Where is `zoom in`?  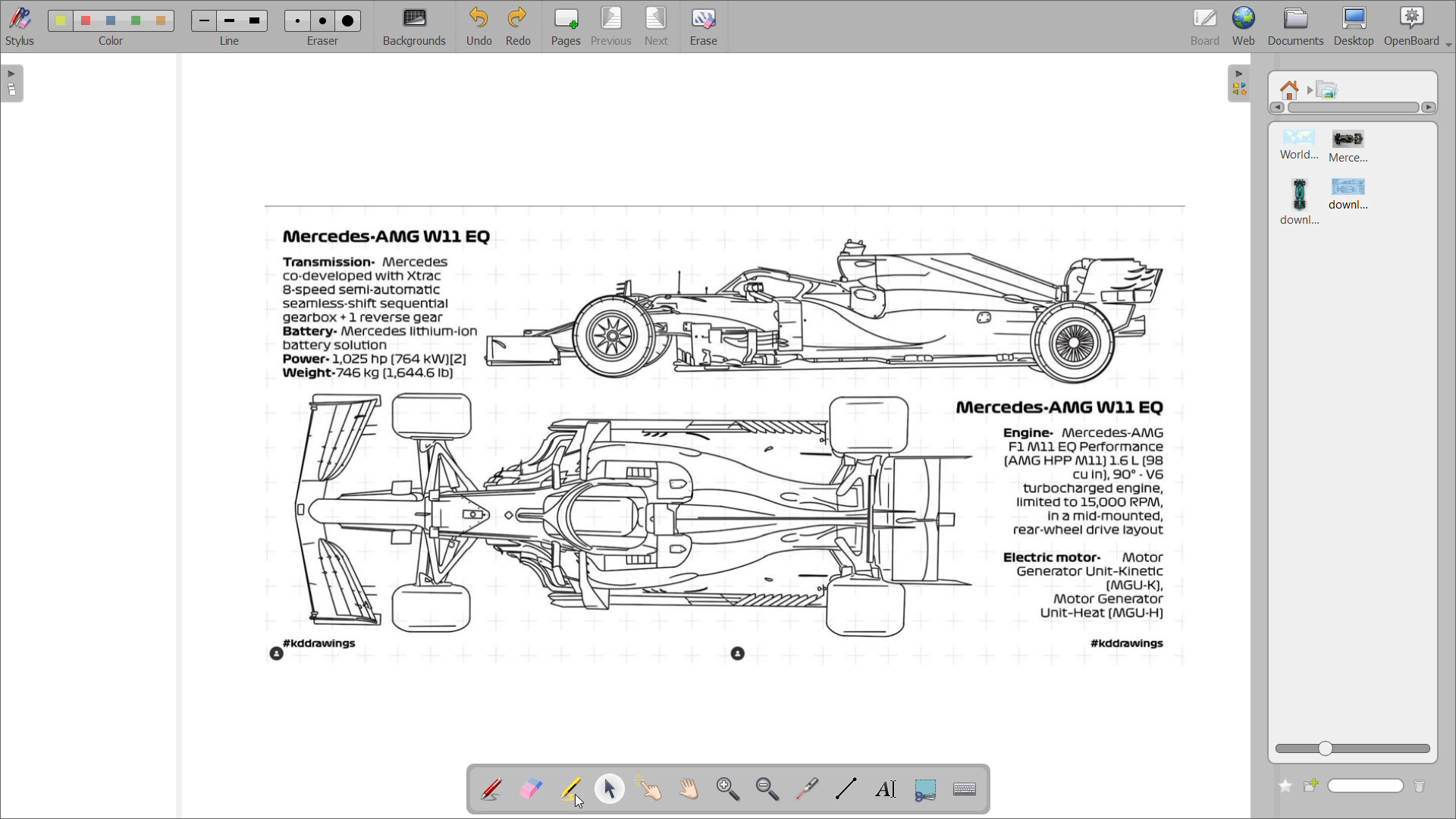
zoom in is located at coordinates (733, 789).